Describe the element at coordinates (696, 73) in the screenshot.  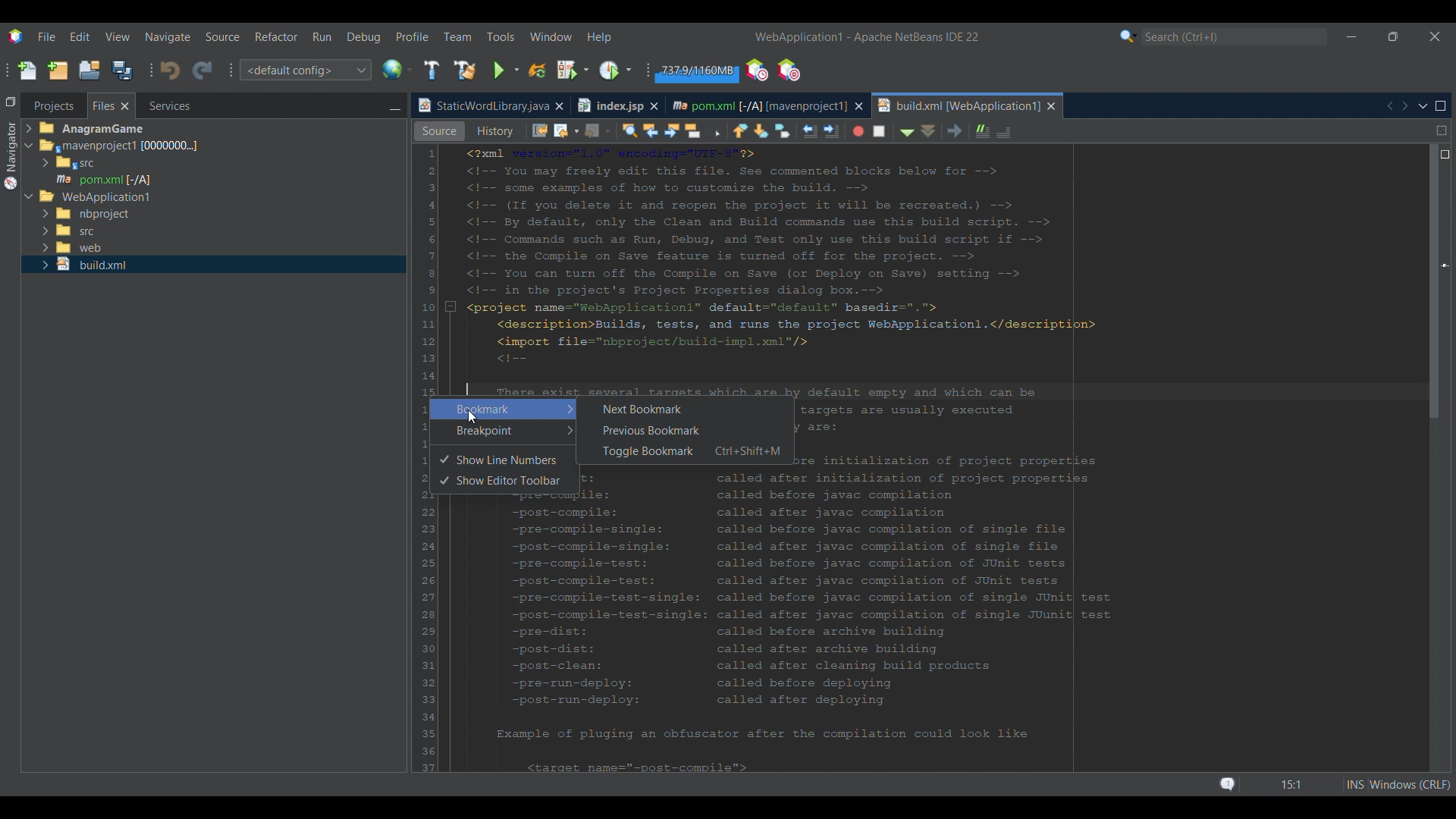
I see `Garbage collection changed` at that location.